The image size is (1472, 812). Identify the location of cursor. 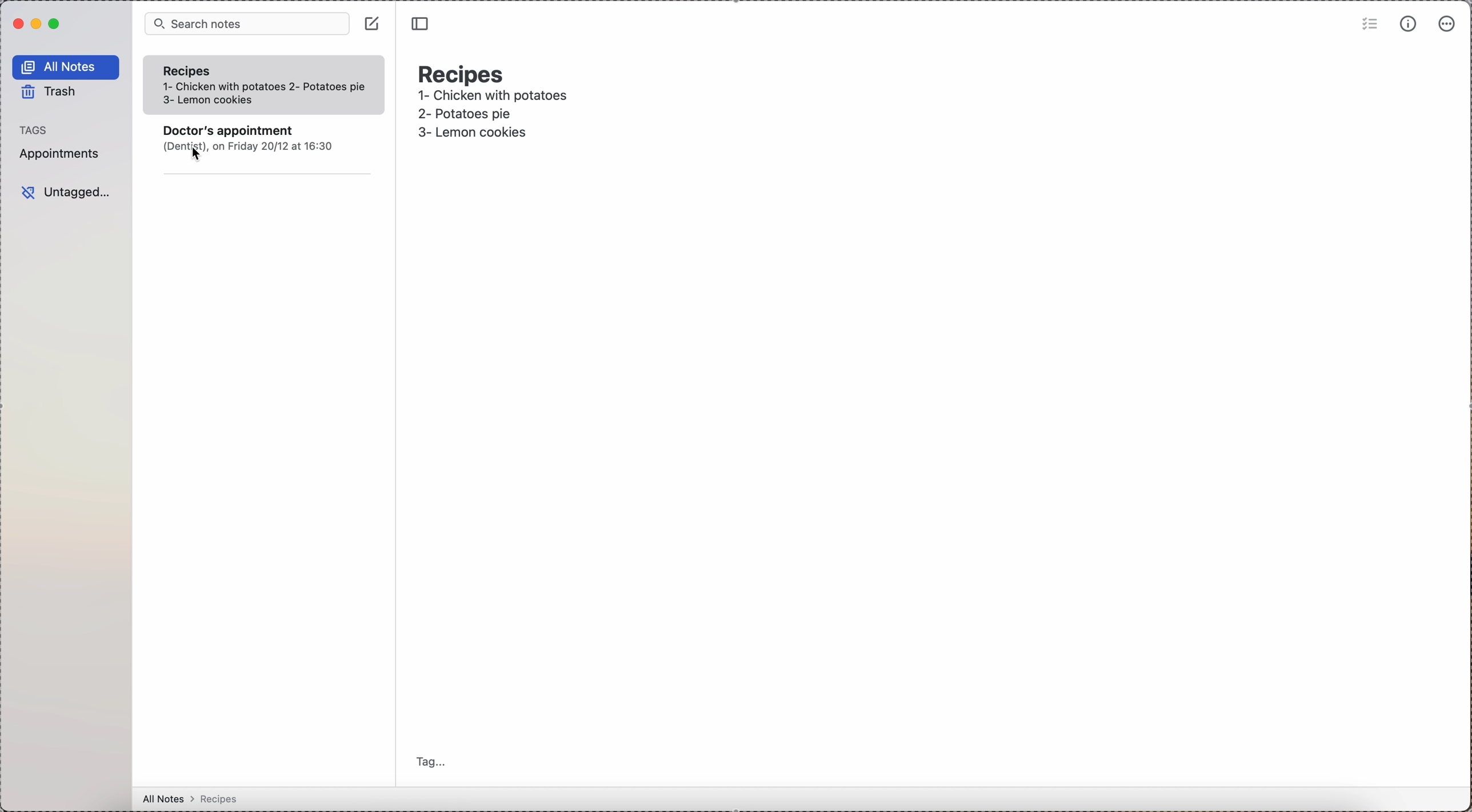
(193, 156).